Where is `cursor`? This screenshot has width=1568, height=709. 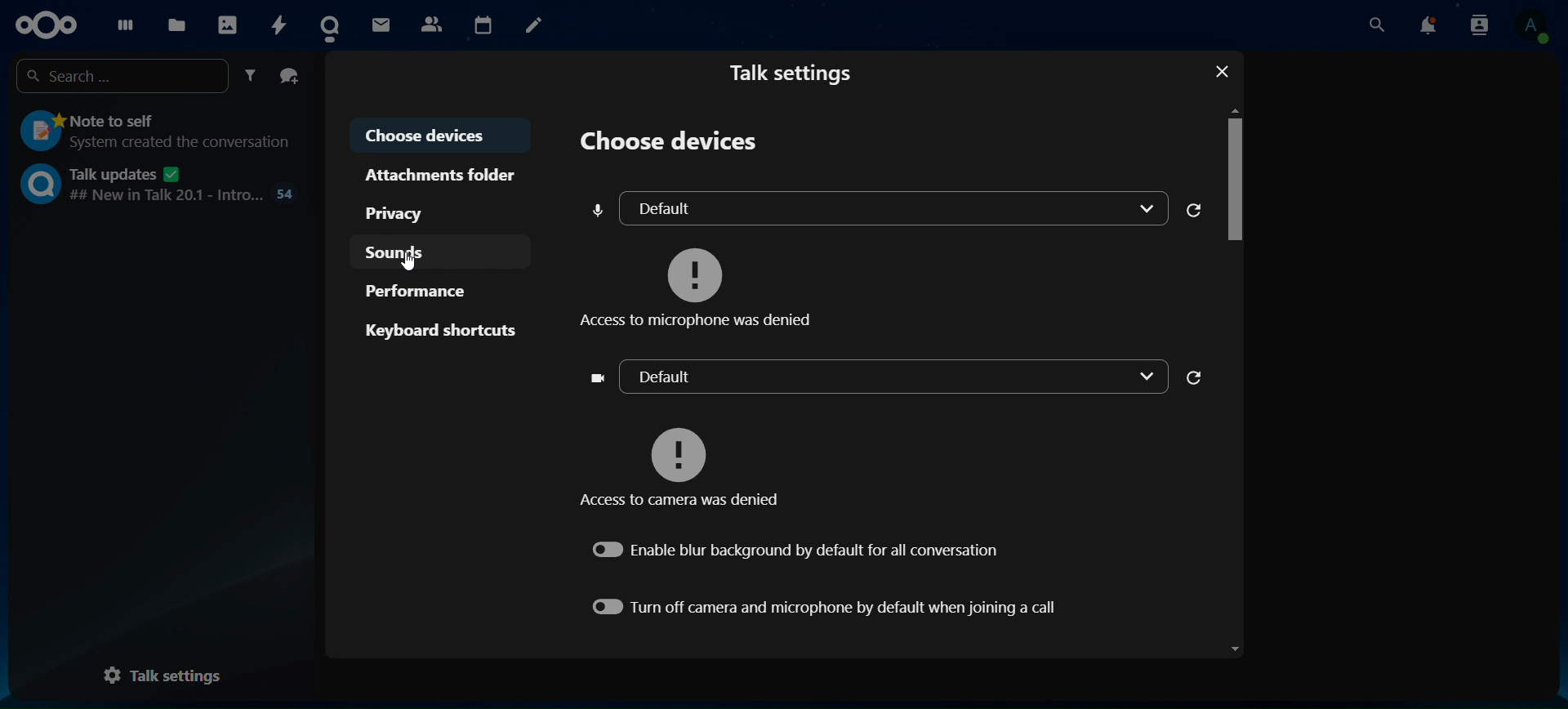
cursor is located at coordinates (412, 264).